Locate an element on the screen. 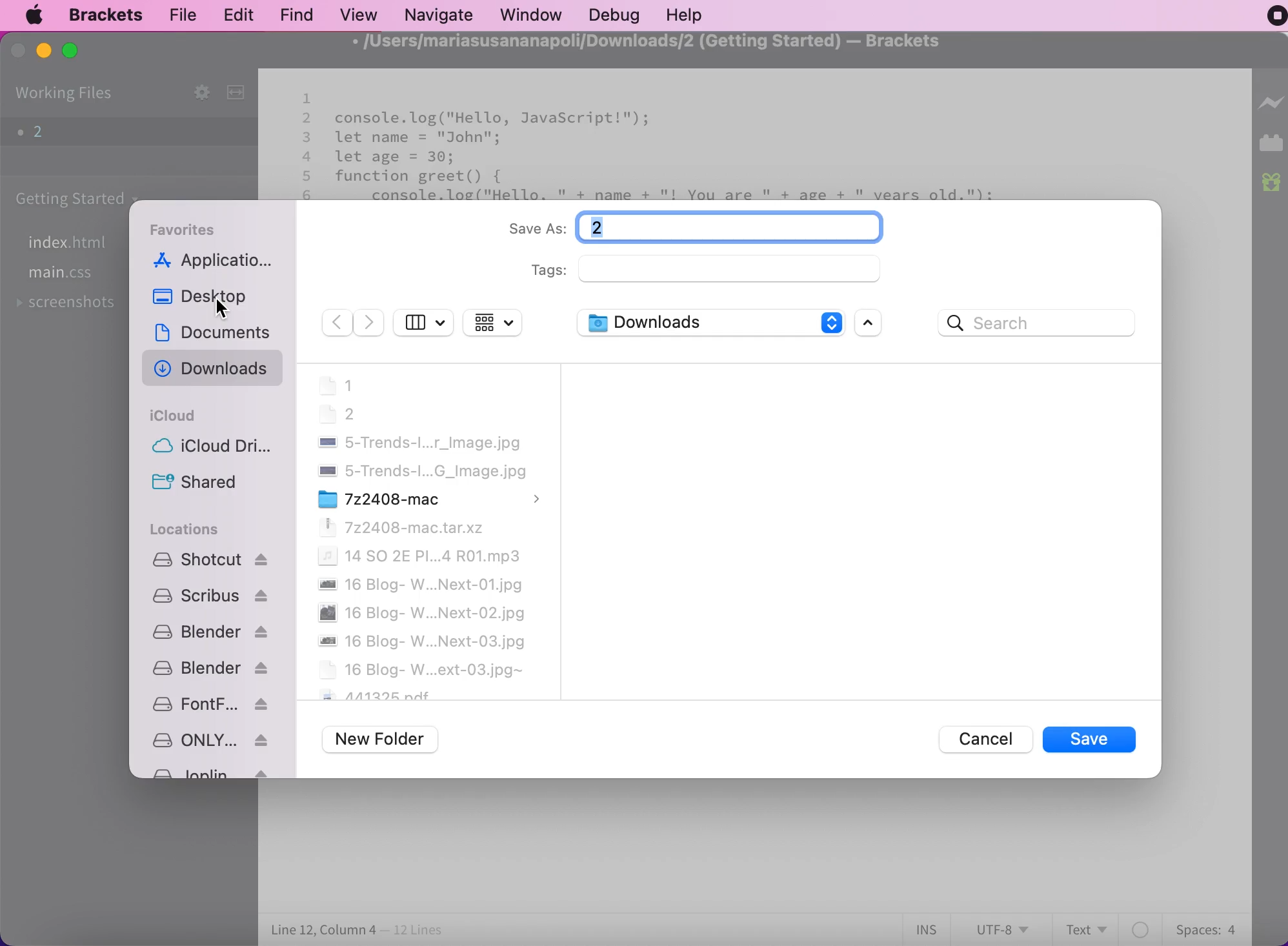 The height and width of the screenshot is (946, 1288). find is located at coordinates (293, 15).